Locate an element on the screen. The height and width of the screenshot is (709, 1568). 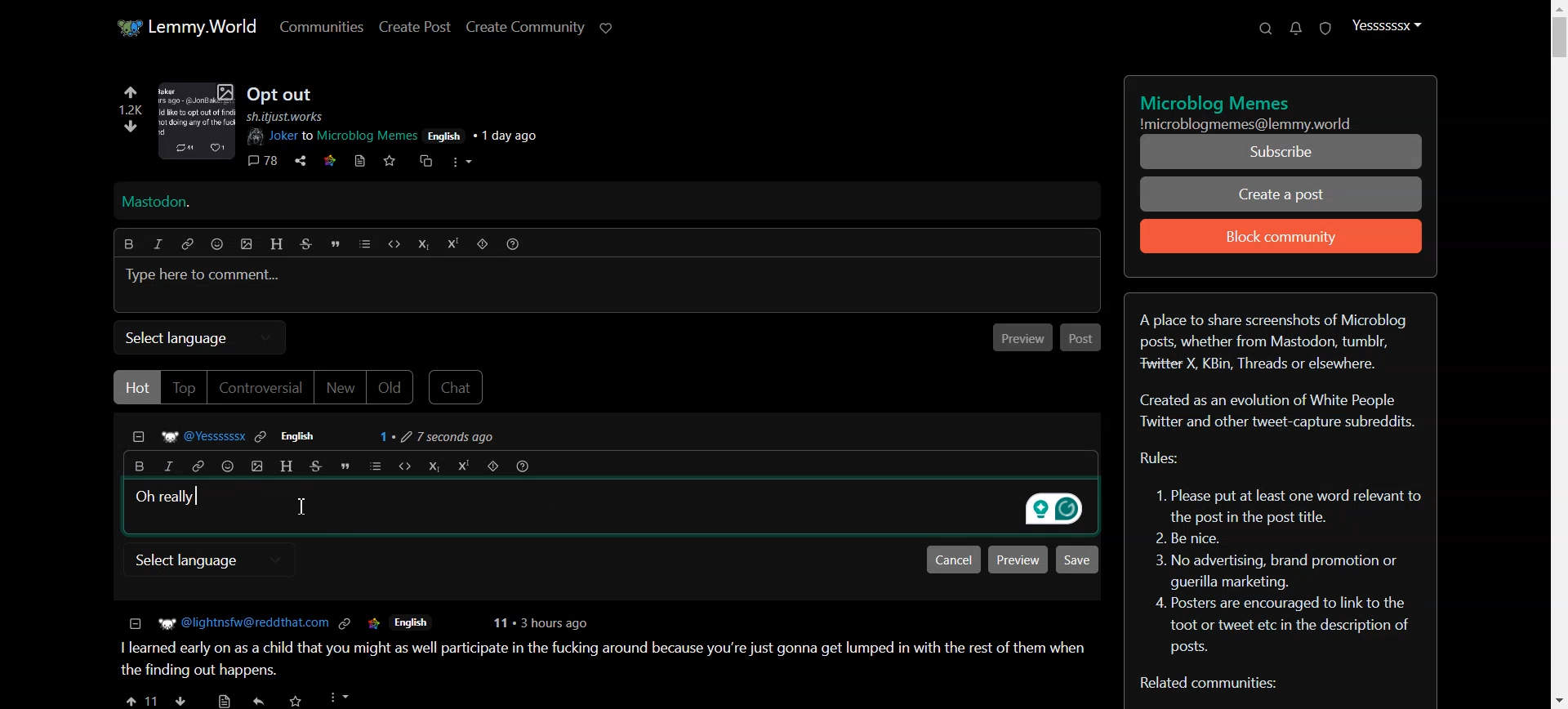
Select language is located at coordinates (201, 336).